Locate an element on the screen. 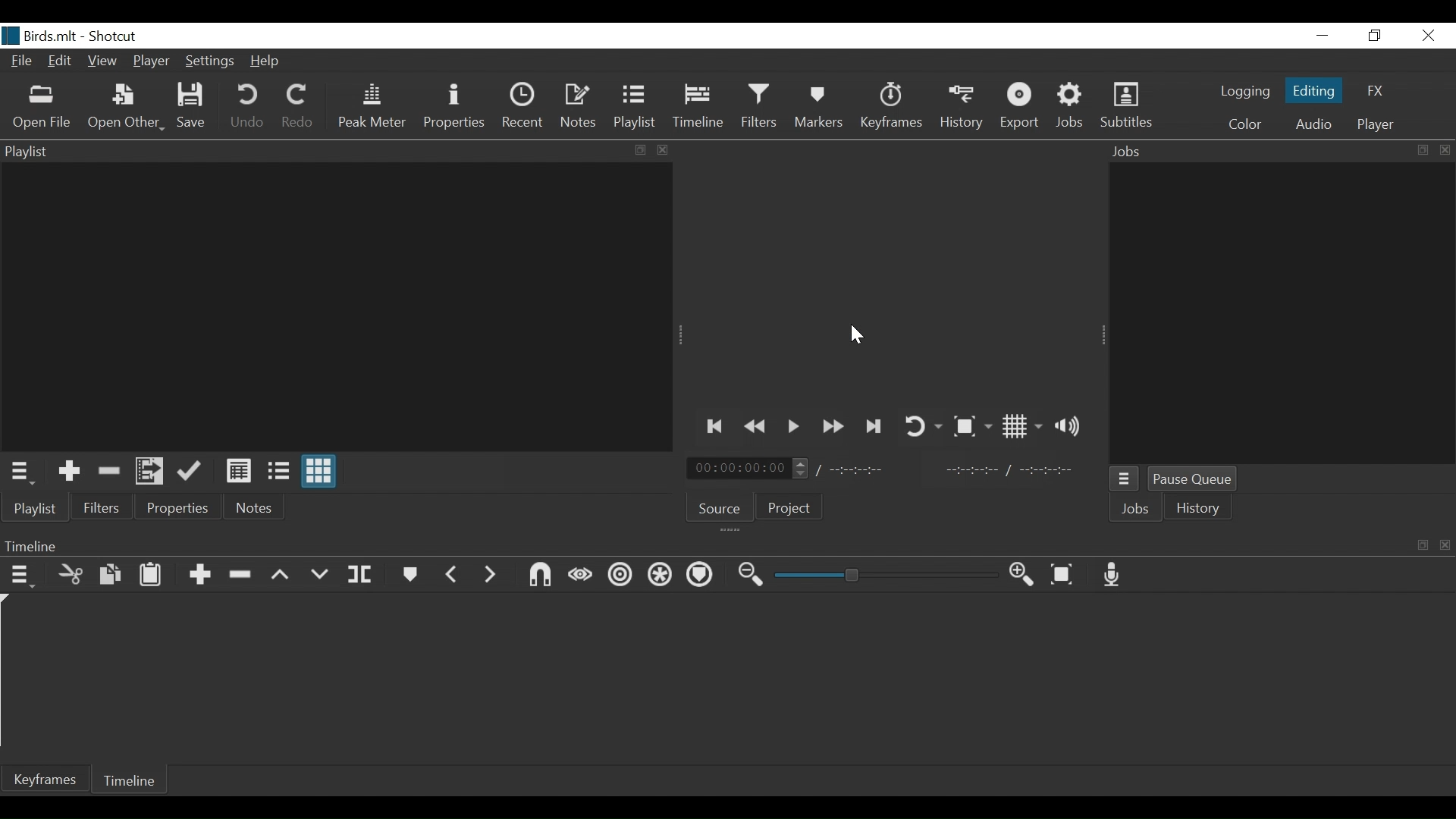  In Point is located at coordinates (1009, 470).